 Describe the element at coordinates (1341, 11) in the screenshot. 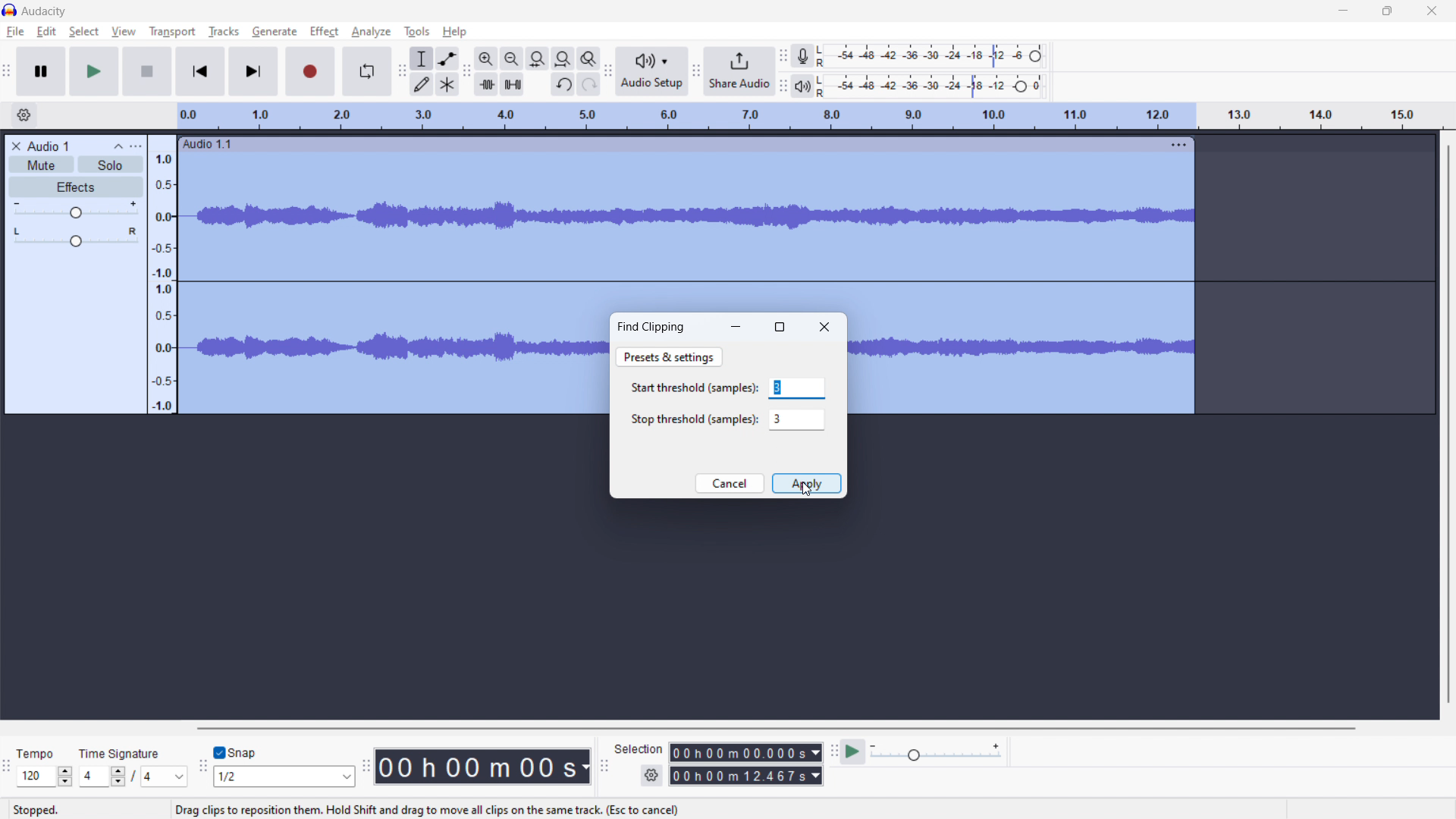

I see `minimize` at that location.